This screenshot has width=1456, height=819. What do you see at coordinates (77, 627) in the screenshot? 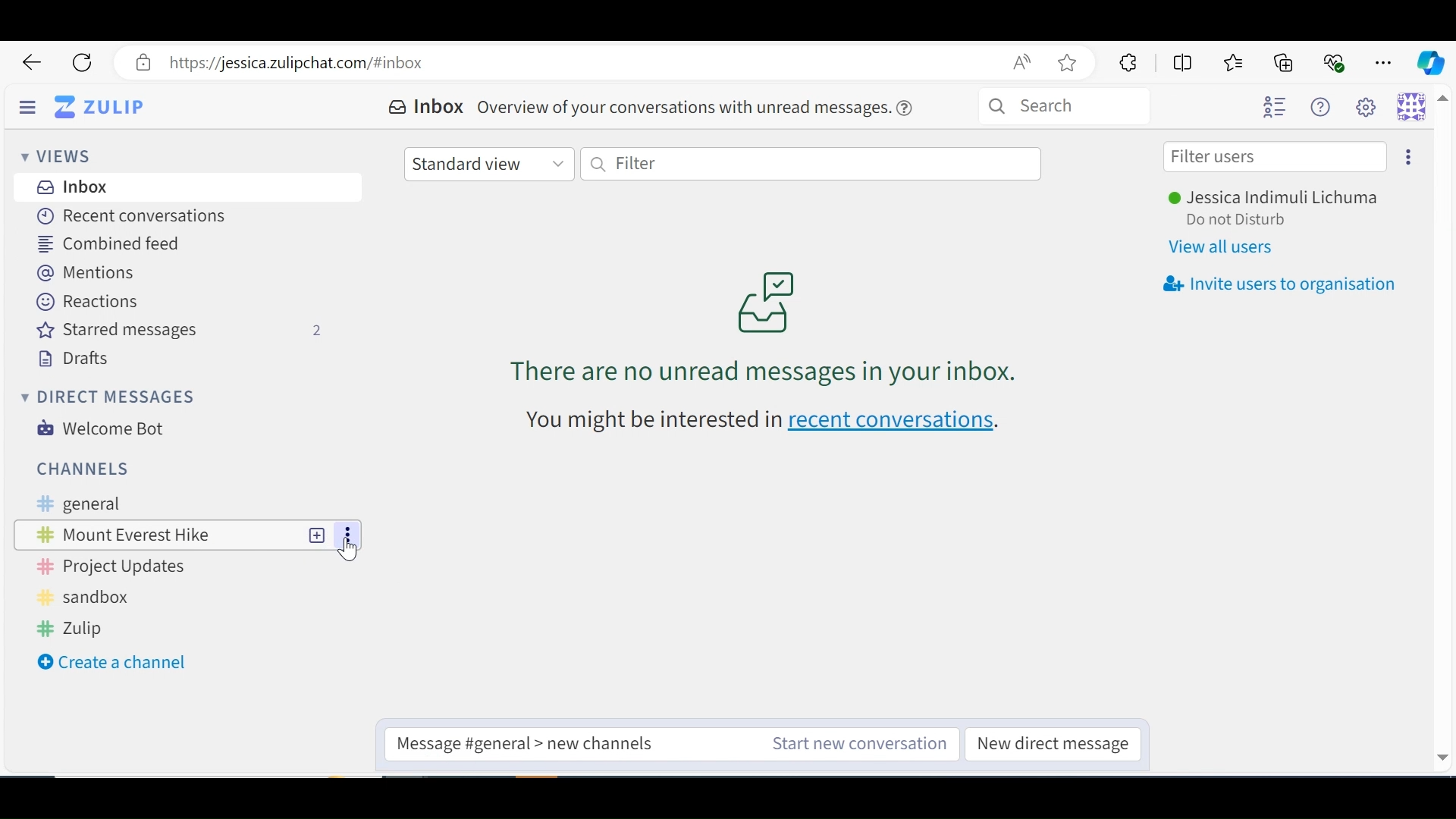
I see `Zulip` at bounding box center [77, 627].